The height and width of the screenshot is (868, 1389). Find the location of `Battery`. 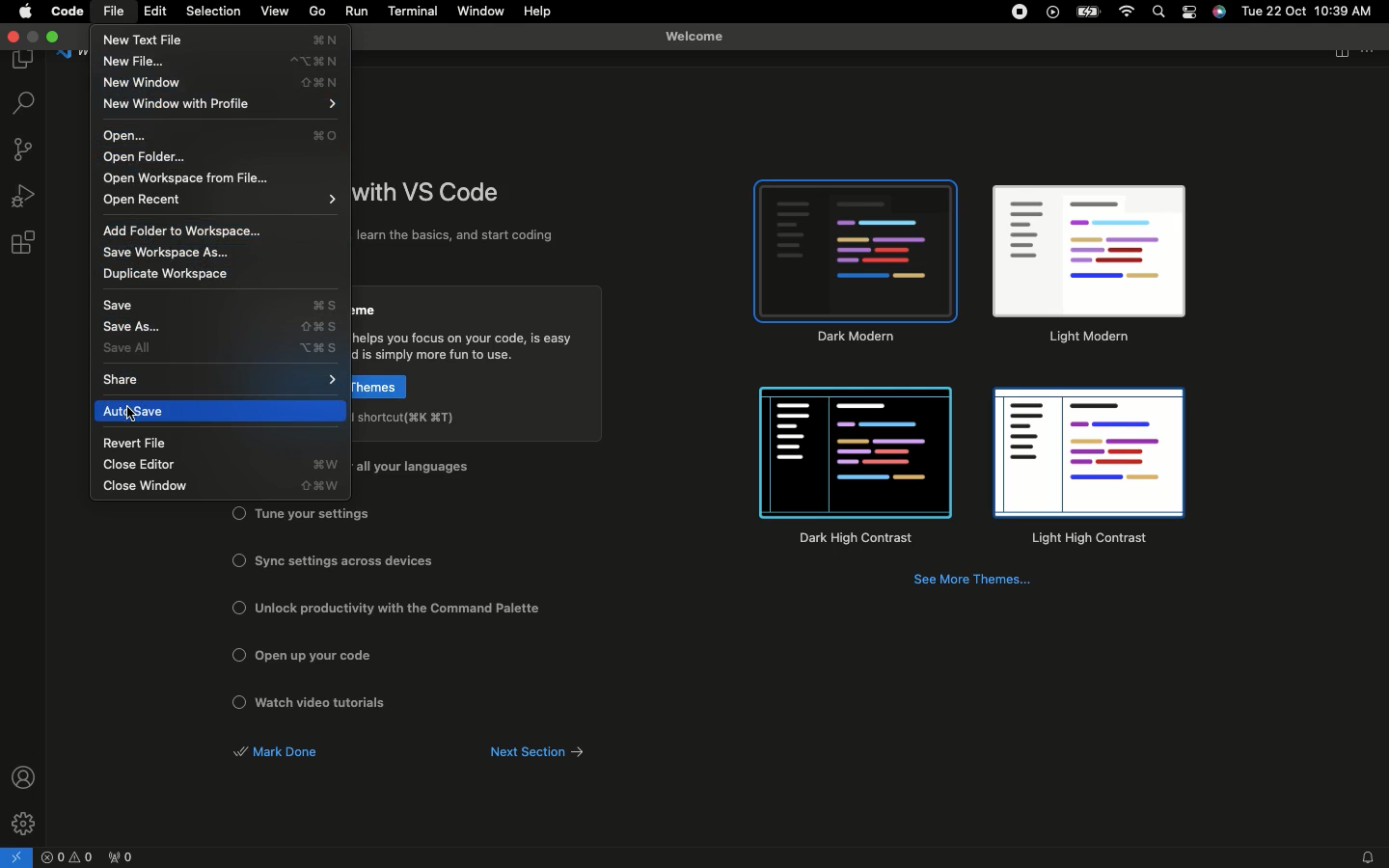

Battery is located at coordinates (1091, 12).